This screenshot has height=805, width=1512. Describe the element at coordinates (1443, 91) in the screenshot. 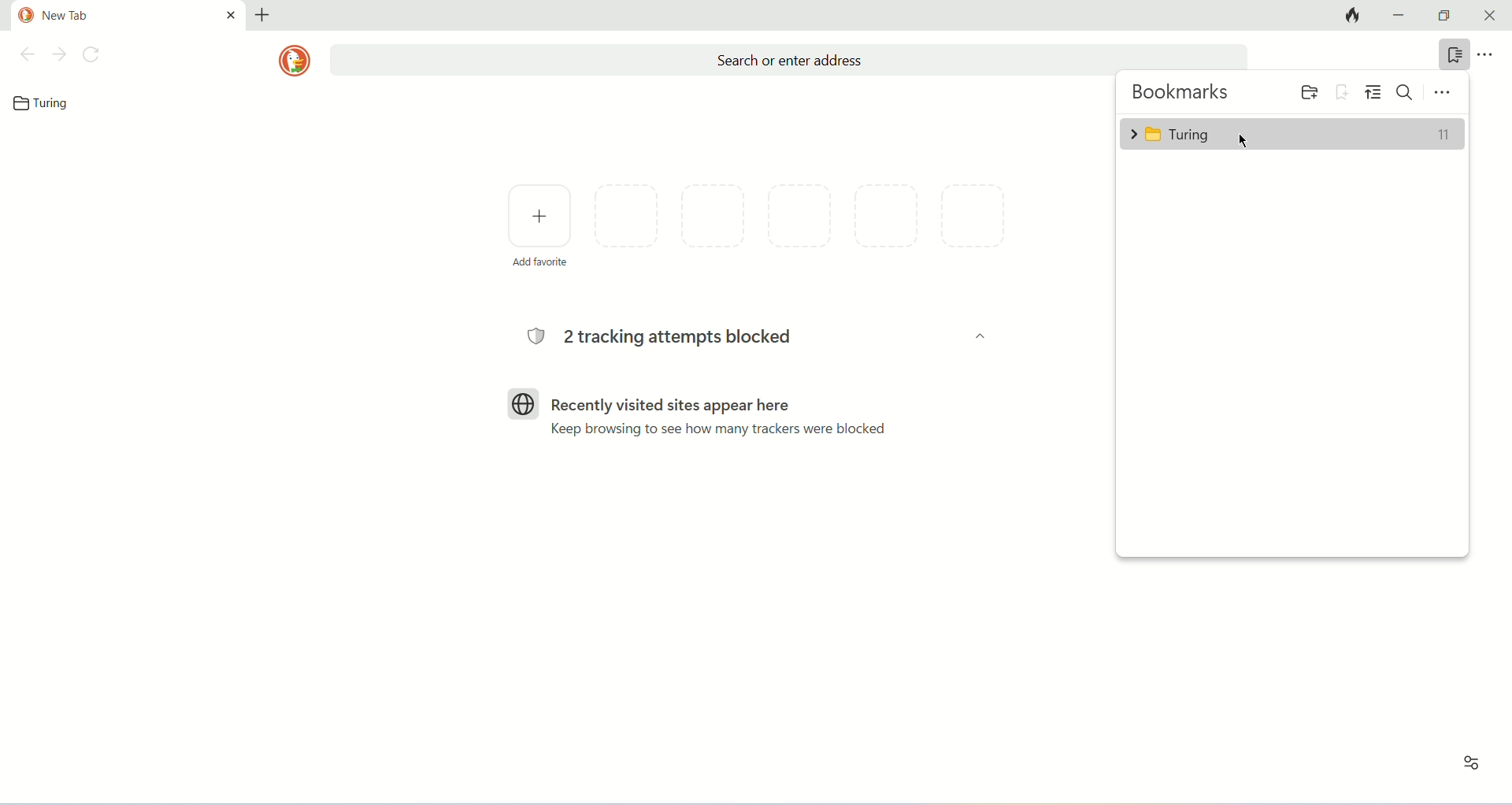

I see `options` at that location.